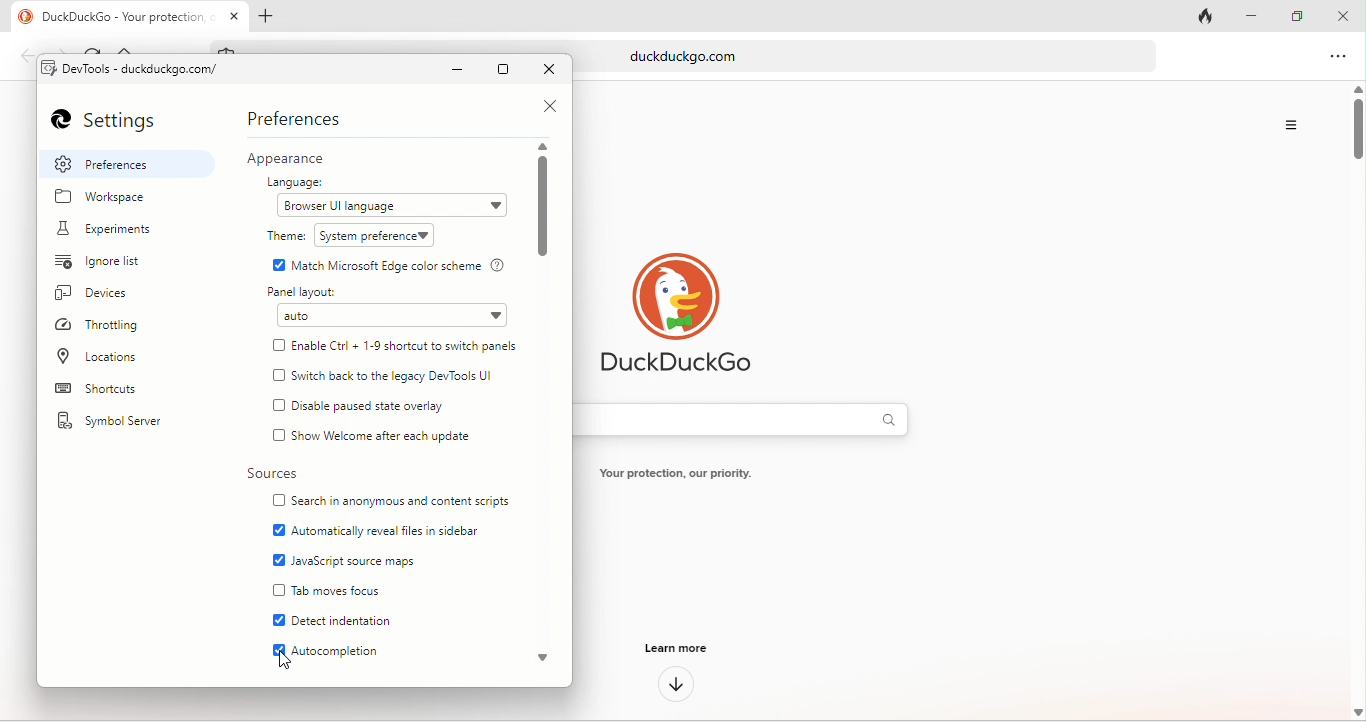 The height and width of the screenshot is (722, 1366). I want to click on minimize, so click(1253, 17).